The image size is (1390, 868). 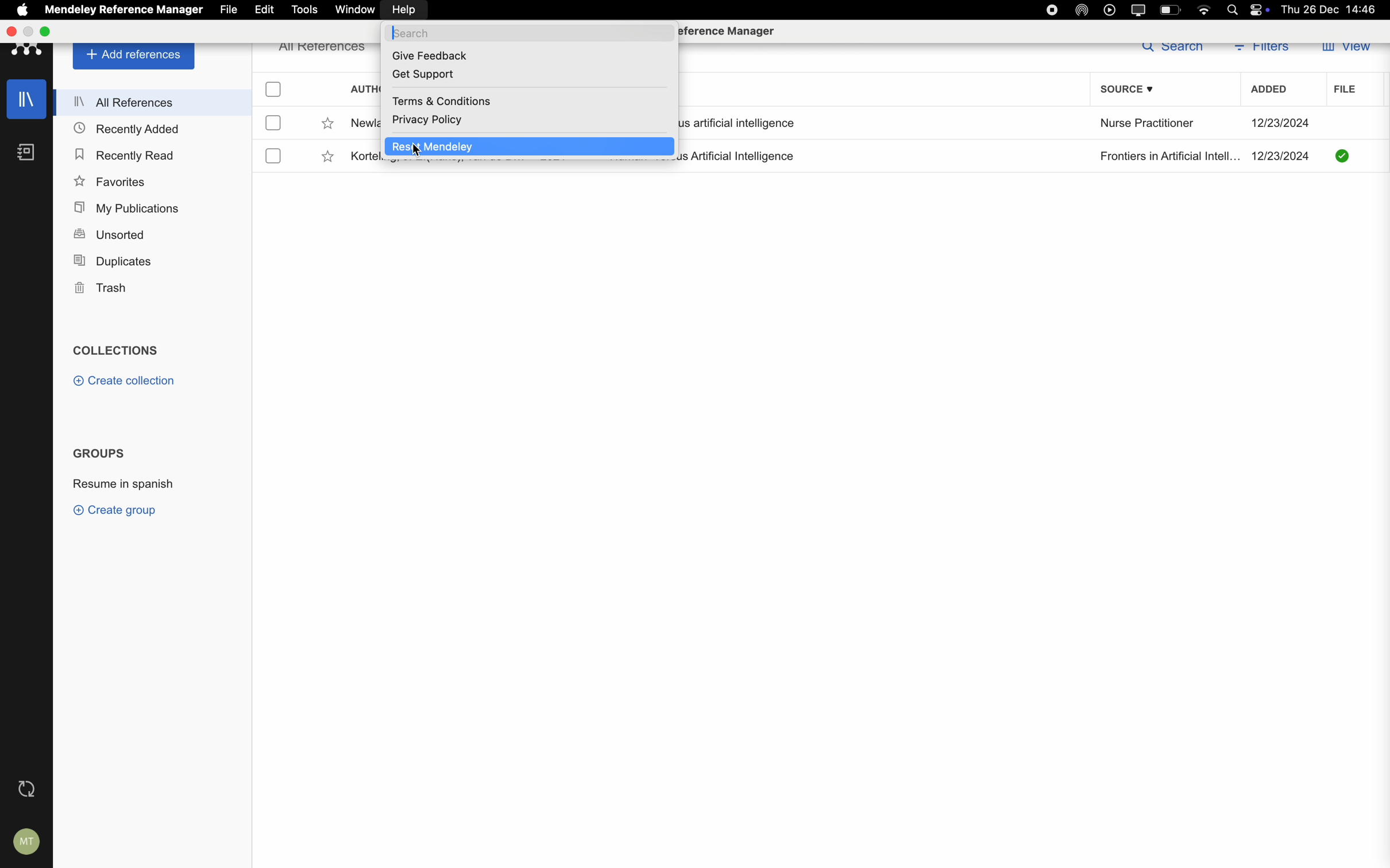 I want to click on notebooks icon, so click(x=29, y=153).